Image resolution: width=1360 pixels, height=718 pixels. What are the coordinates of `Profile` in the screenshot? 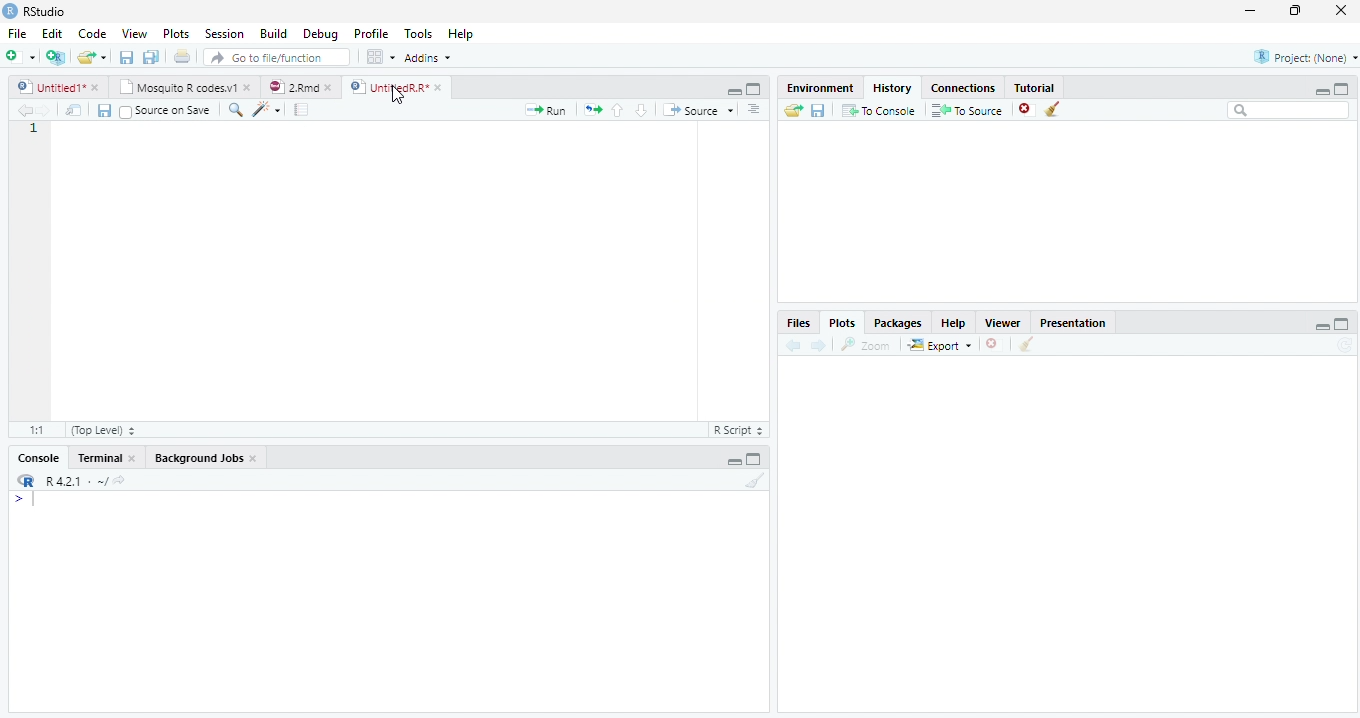 It's located at (371, 34).